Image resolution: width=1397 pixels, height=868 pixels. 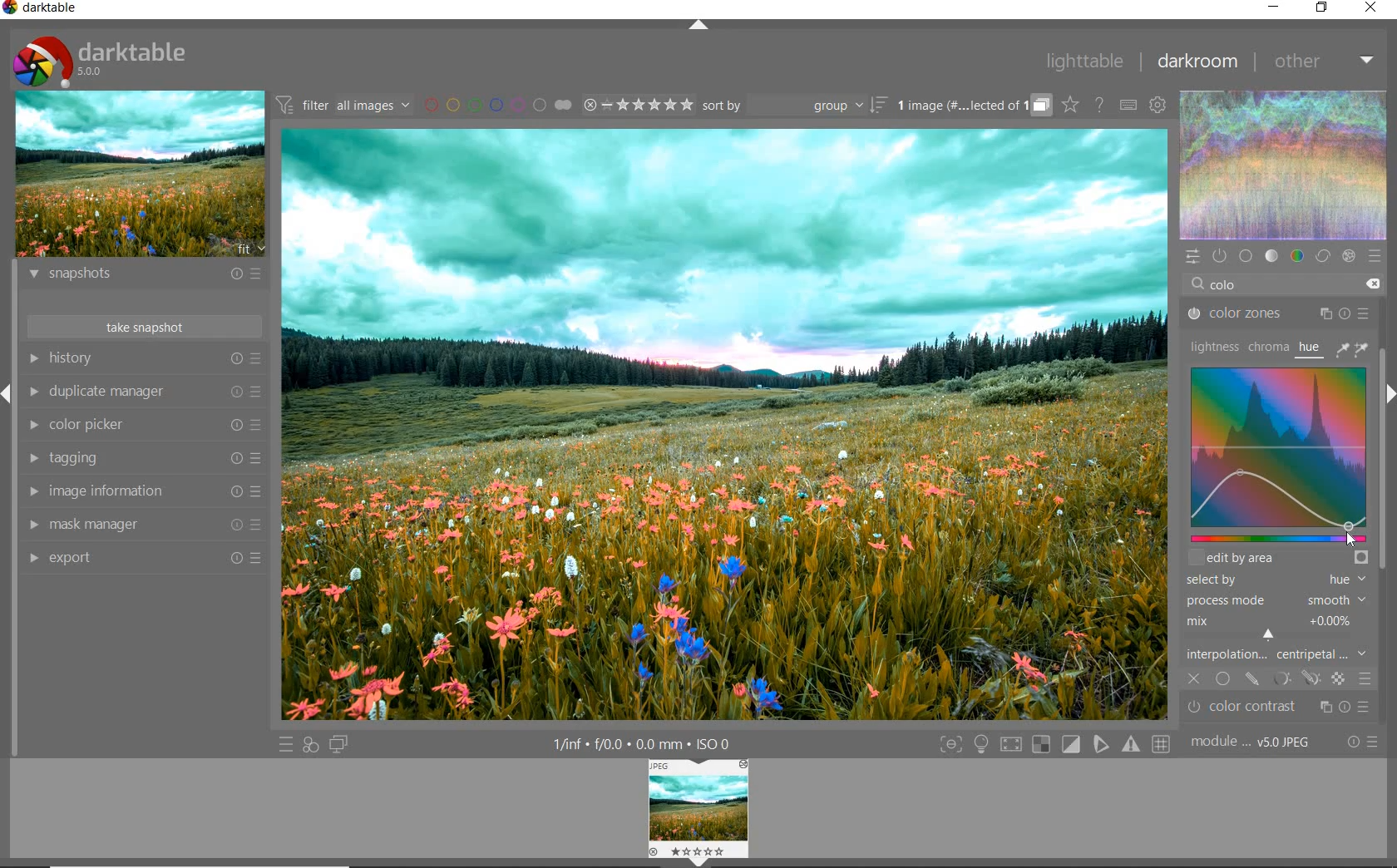 What do you see at coordinates (1054, 745) in the screenshot?
I see `Toggle modes` at bounding box center [1054, 745].